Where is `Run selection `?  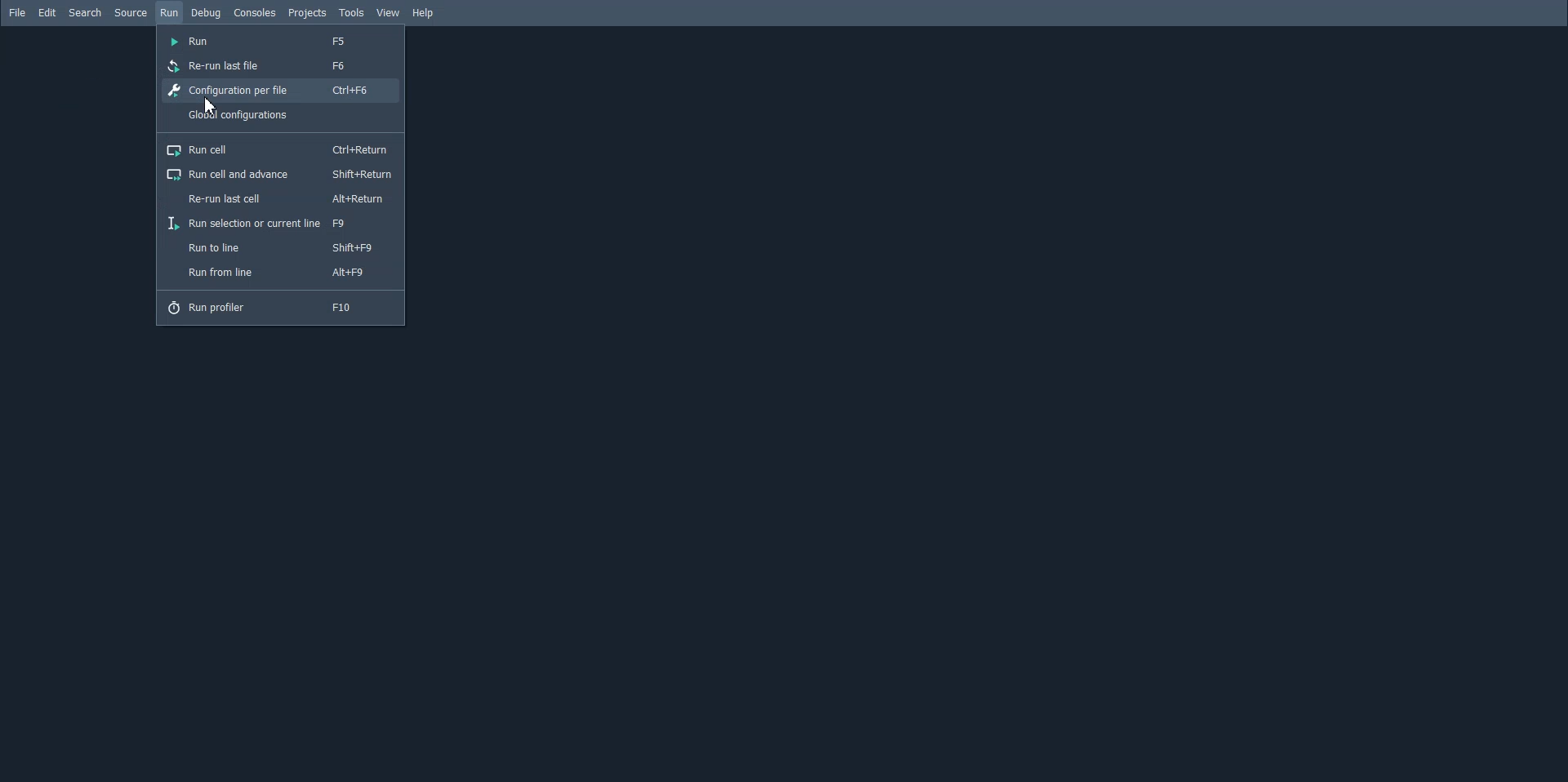 Run selection  is located at coordinates (280, 224).